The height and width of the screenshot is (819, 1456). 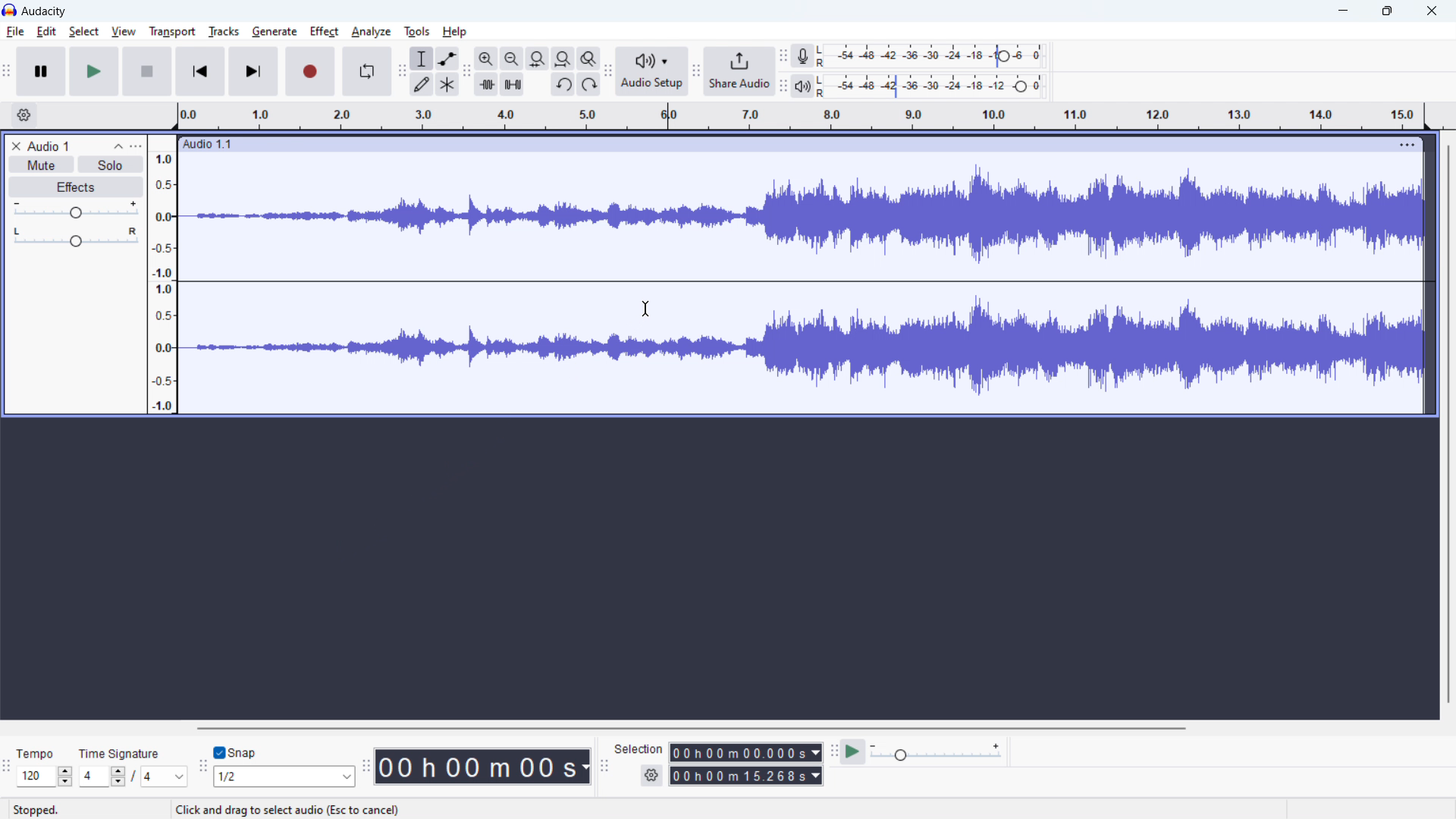 I want to click on playback speed, so click(x=937, y=752).